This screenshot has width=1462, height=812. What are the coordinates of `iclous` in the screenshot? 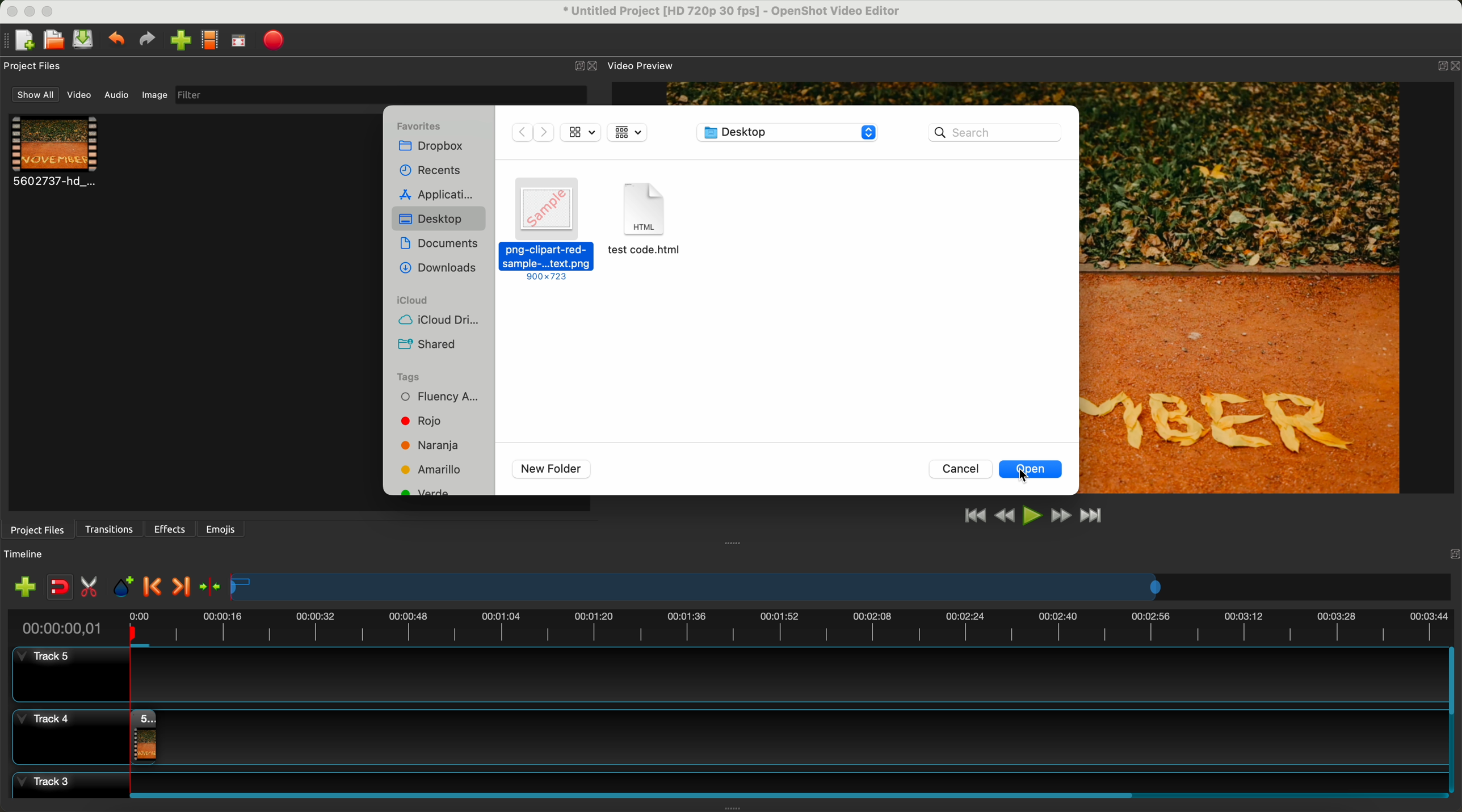 It's located at (413, 301).